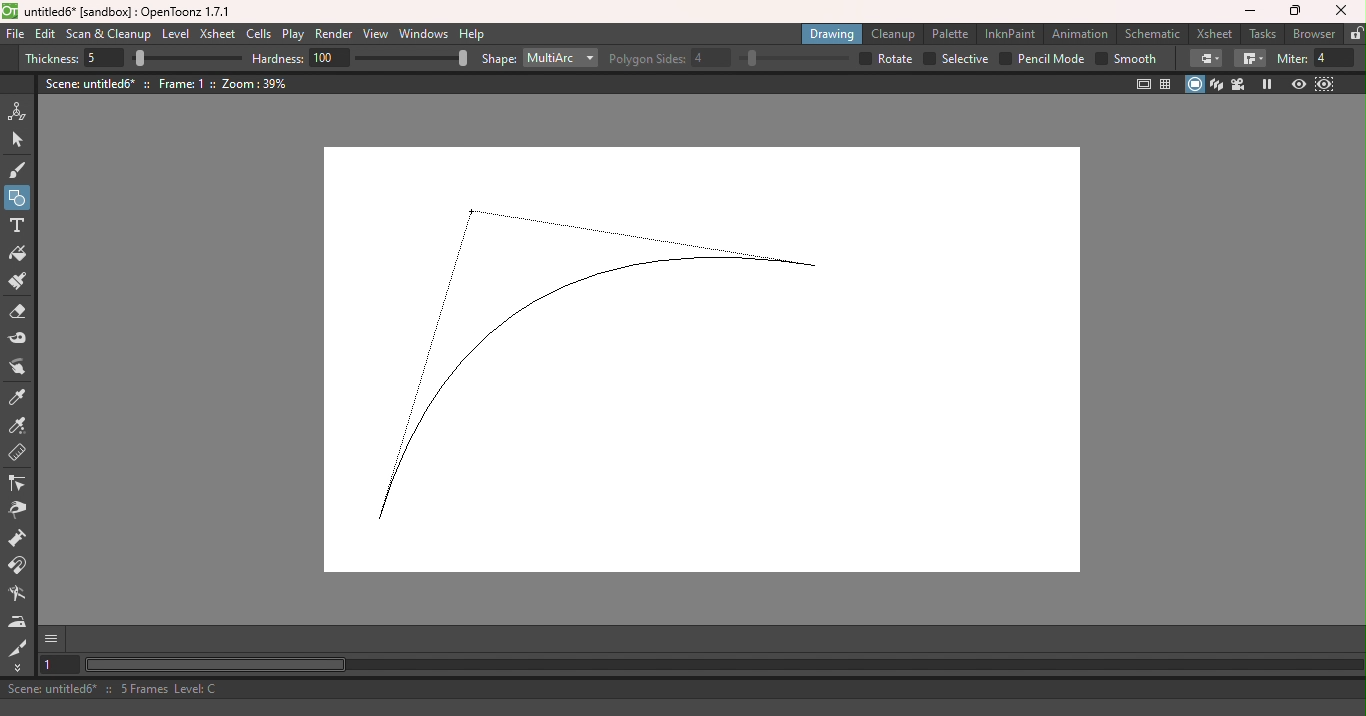 This screenshot has height=716, width=1366. What do you see at coordinates (216, 34) in the screenshot?
I see `Xsheet` at bounding box center [216, 34].